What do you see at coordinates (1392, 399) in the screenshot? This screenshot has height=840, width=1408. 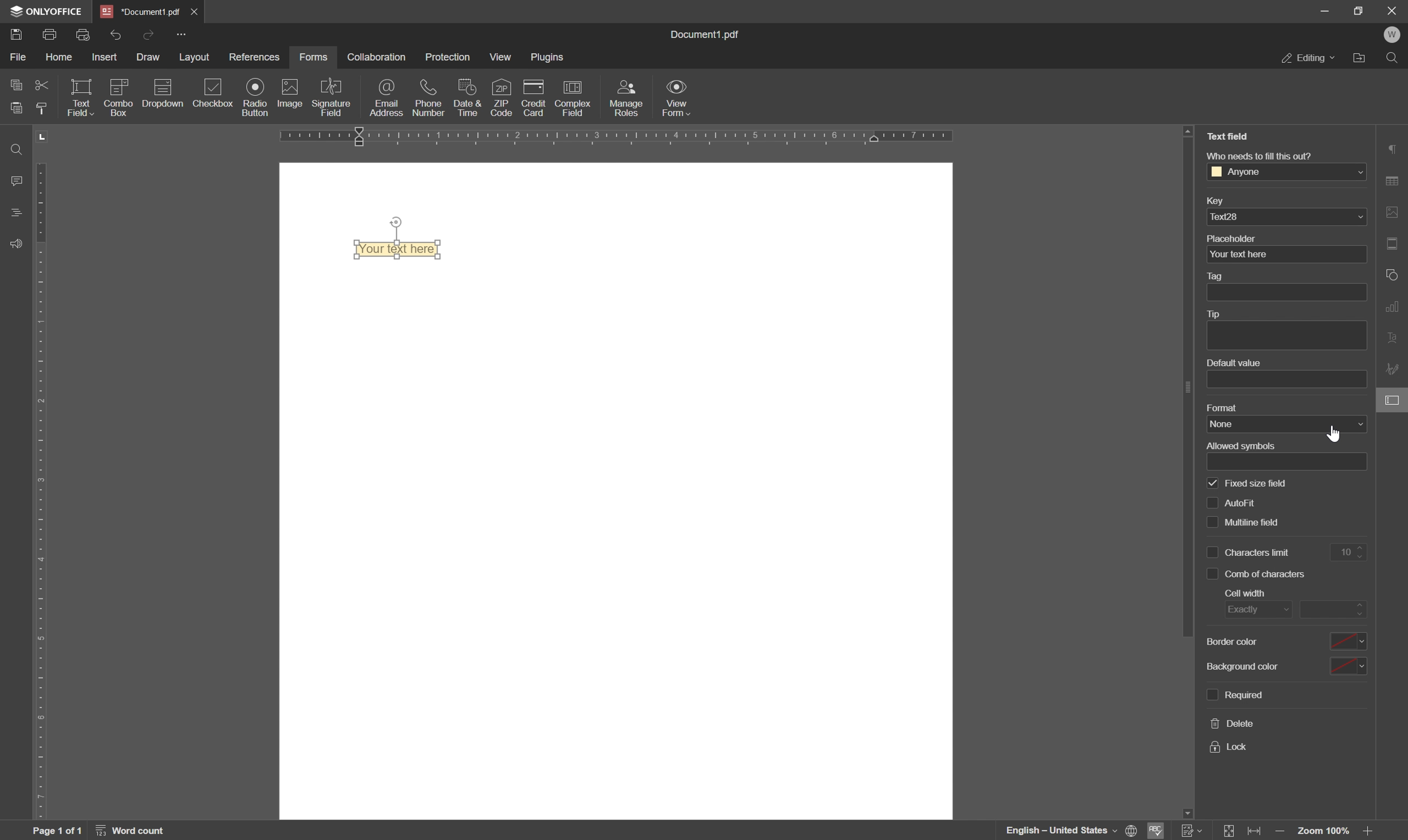 I see `form settings` at bounding box center [1392, 399].